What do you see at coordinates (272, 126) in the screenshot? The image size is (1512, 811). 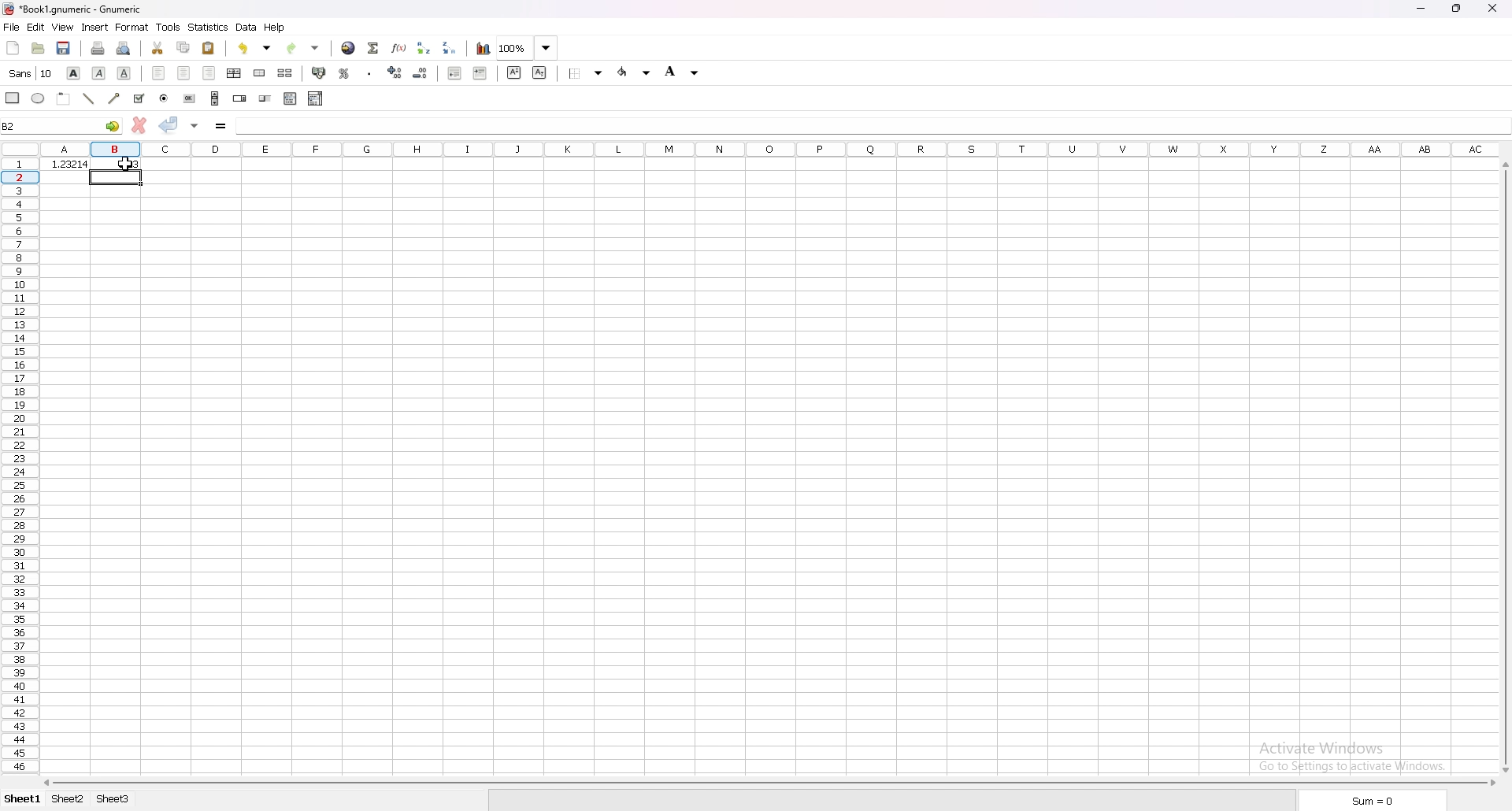 I see `formula` at bounding box center [272, 126].